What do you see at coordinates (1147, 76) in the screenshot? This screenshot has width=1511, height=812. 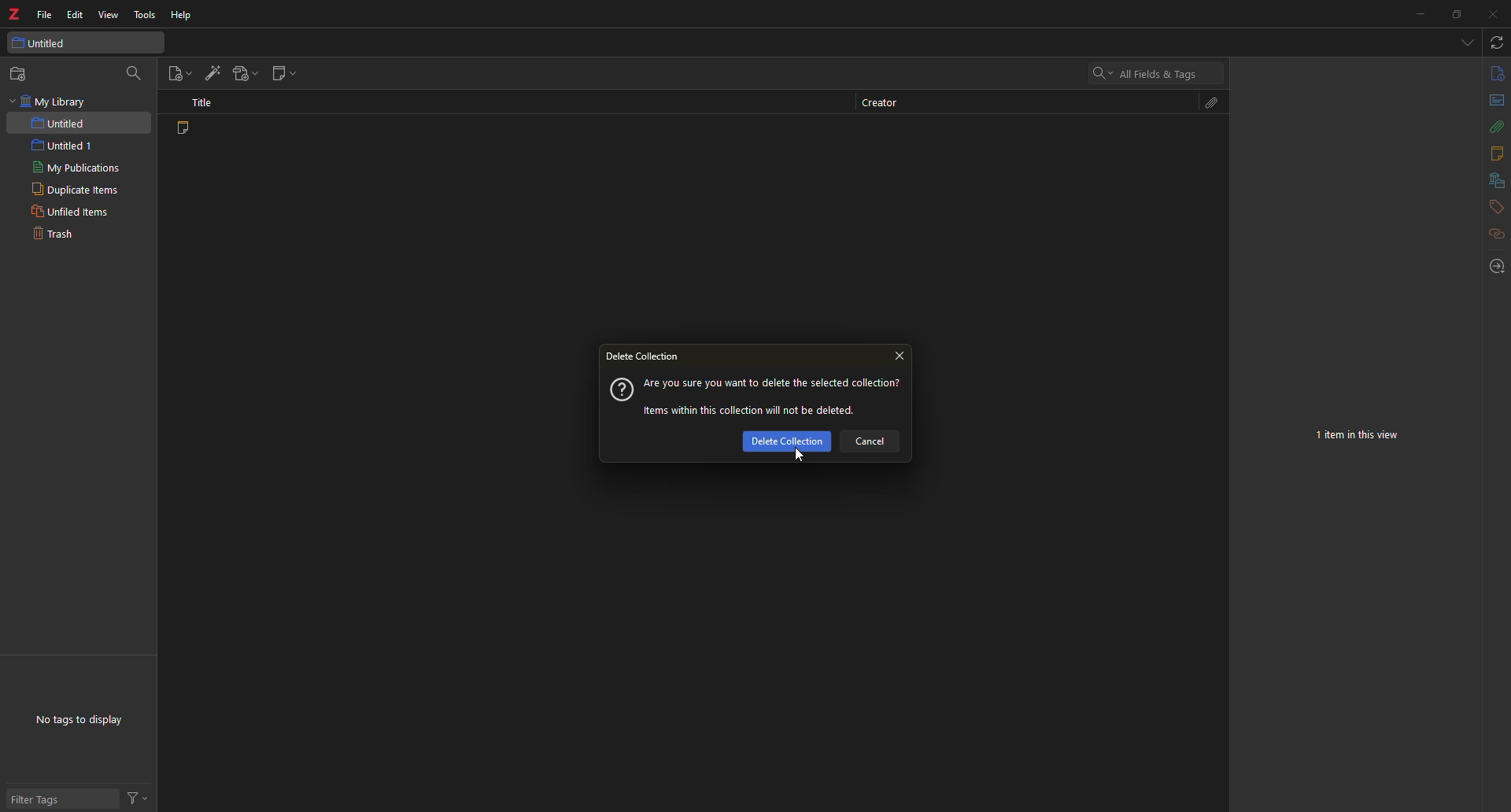 I see `search` at bounding box center [1147, 76].